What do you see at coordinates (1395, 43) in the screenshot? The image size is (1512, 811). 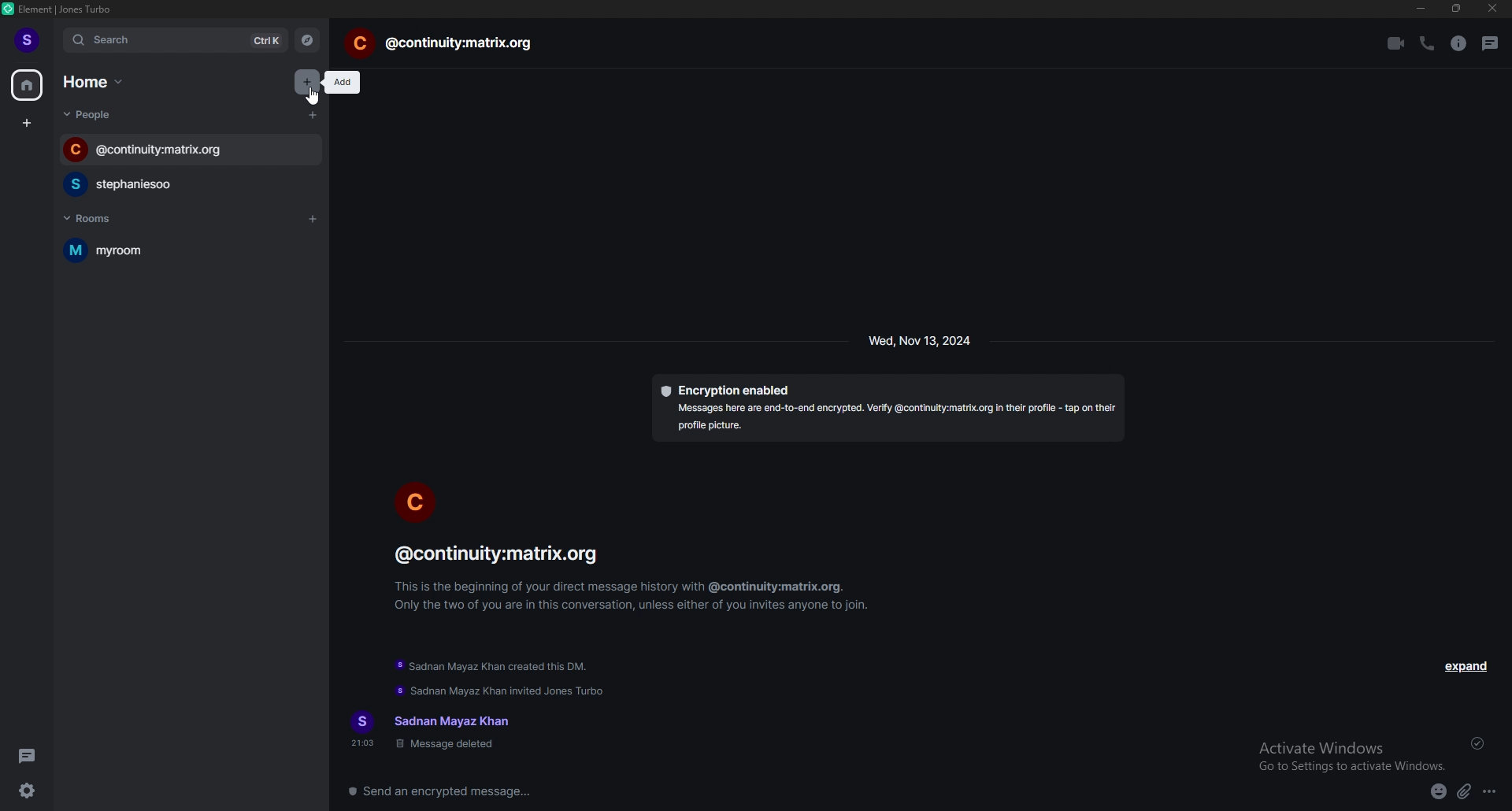 I see `video call` at bounding box center [1395, 43].